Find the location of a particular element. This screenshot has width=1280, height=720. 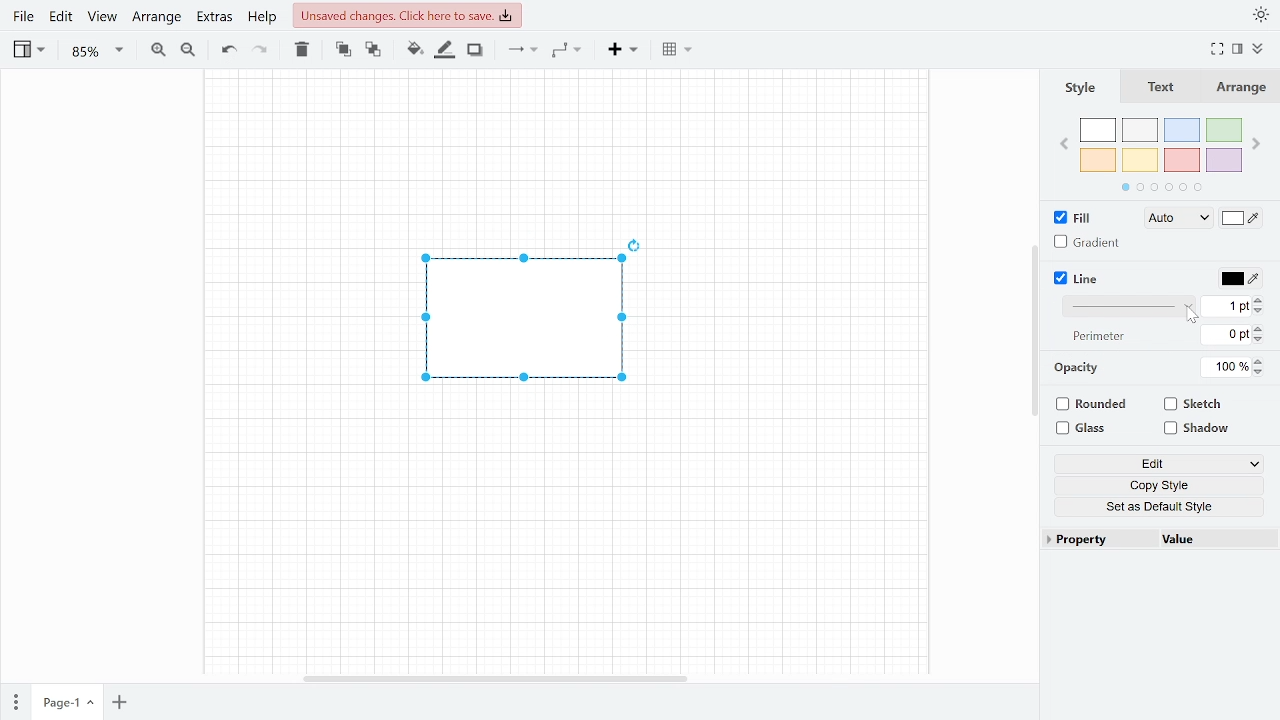

Collapse is located at coordinates (1259, 49).